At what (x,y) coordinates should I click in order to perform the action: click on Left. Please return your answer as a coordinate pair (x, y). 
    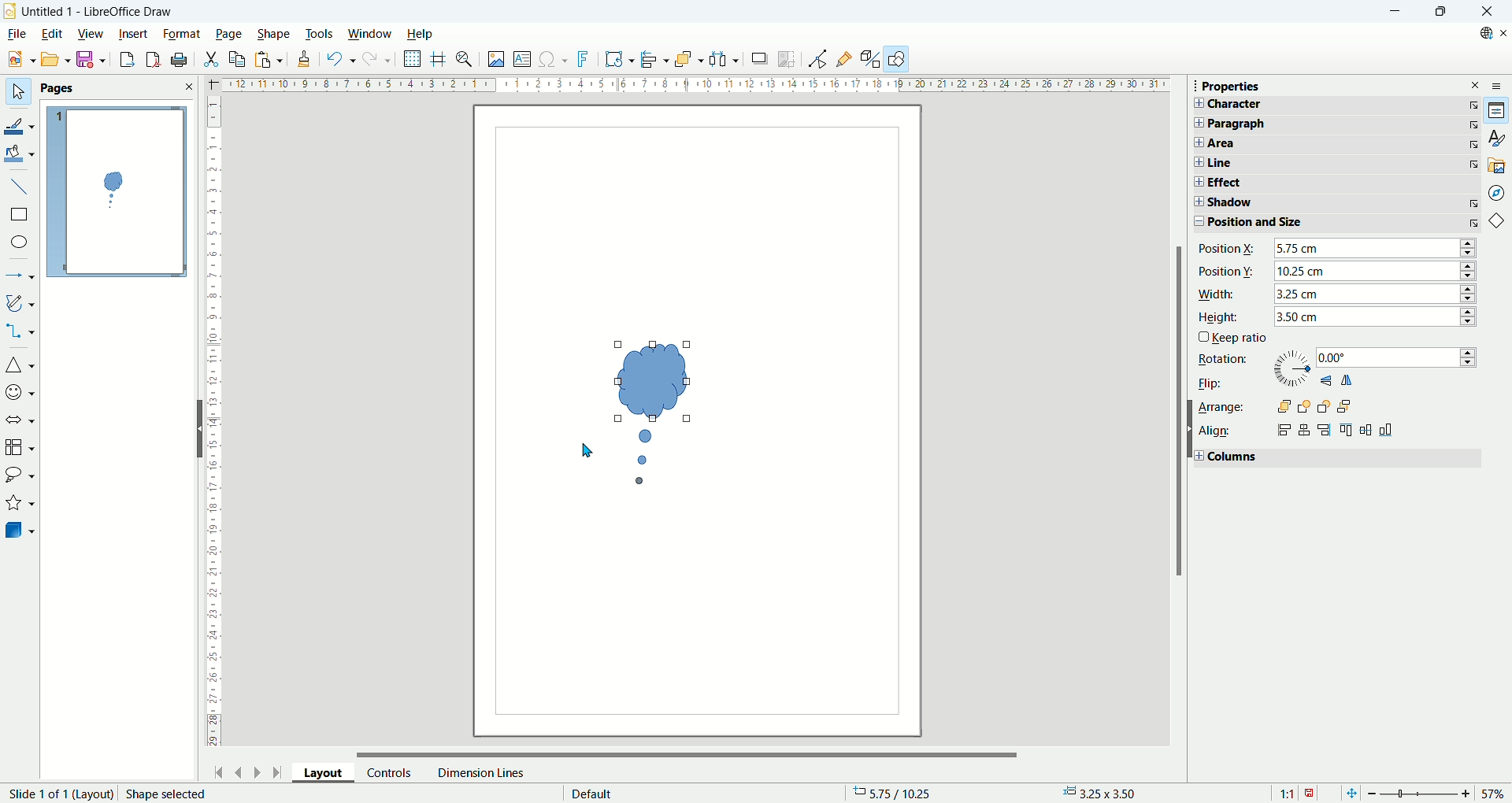
    Looking at the image, I should click on (1284, 430).